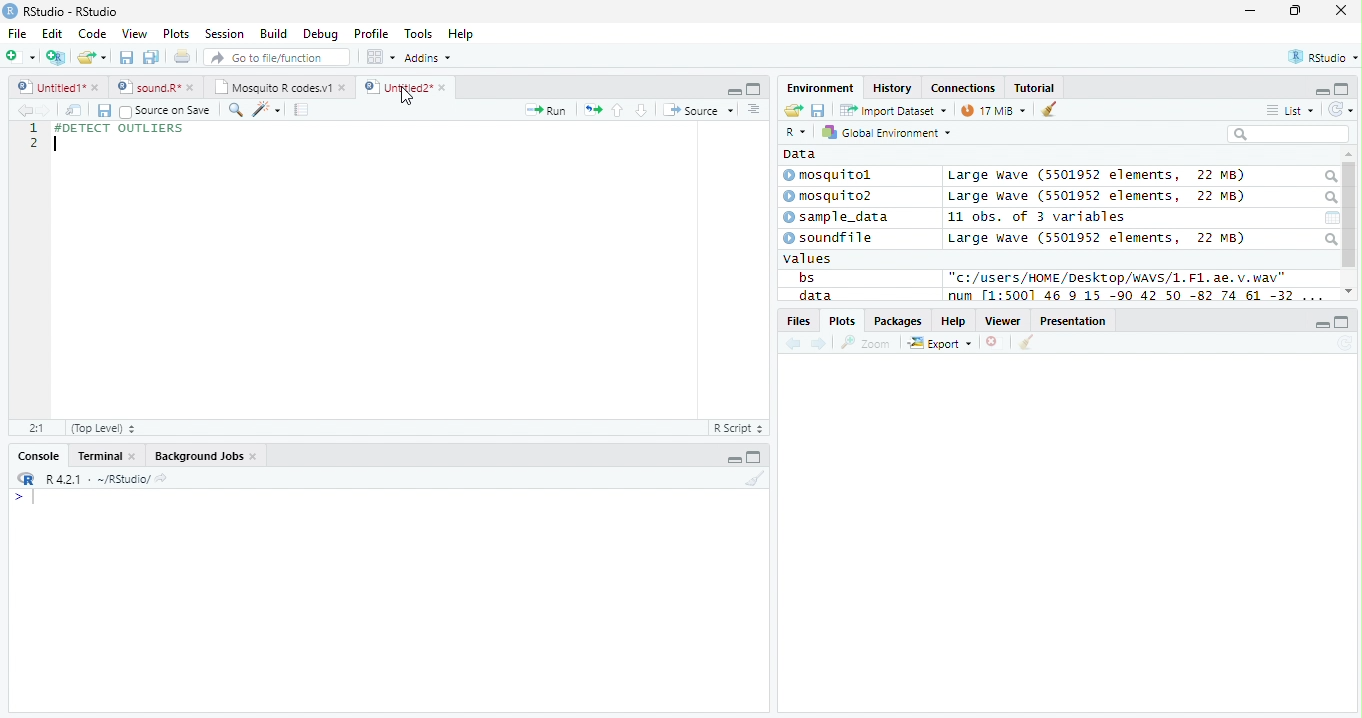 This screenshot has height=718, width=1362. What do you see at coordinates (35, 455) in the screenshot?
I see `Console` at bounding box center [35, 455].